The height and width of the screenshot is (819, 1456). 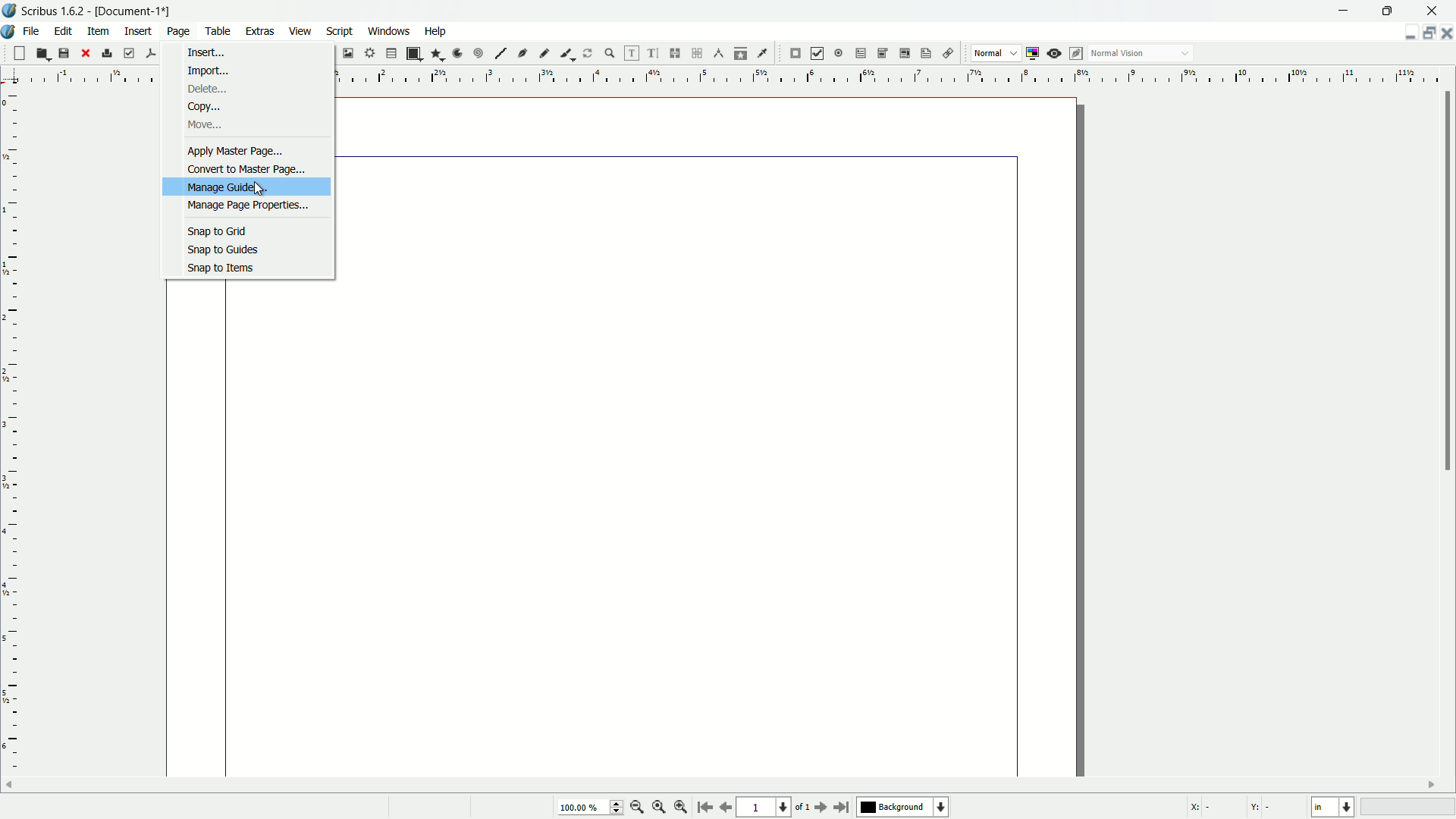 I want to click on line, so click(x=500, y=54).